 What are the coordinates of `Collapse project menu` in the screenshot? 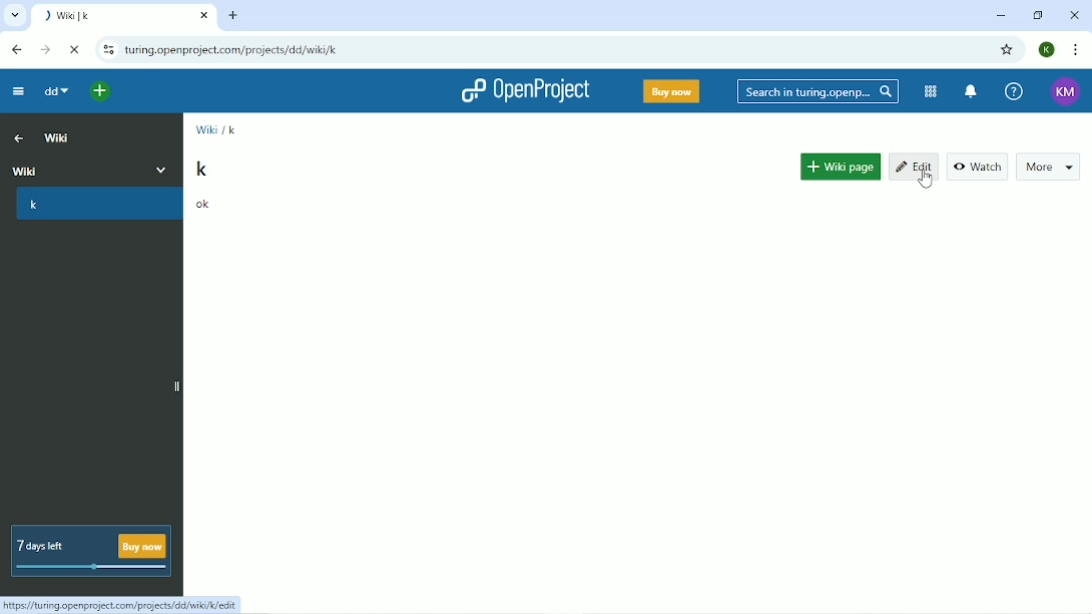 It's located at (17, 93).